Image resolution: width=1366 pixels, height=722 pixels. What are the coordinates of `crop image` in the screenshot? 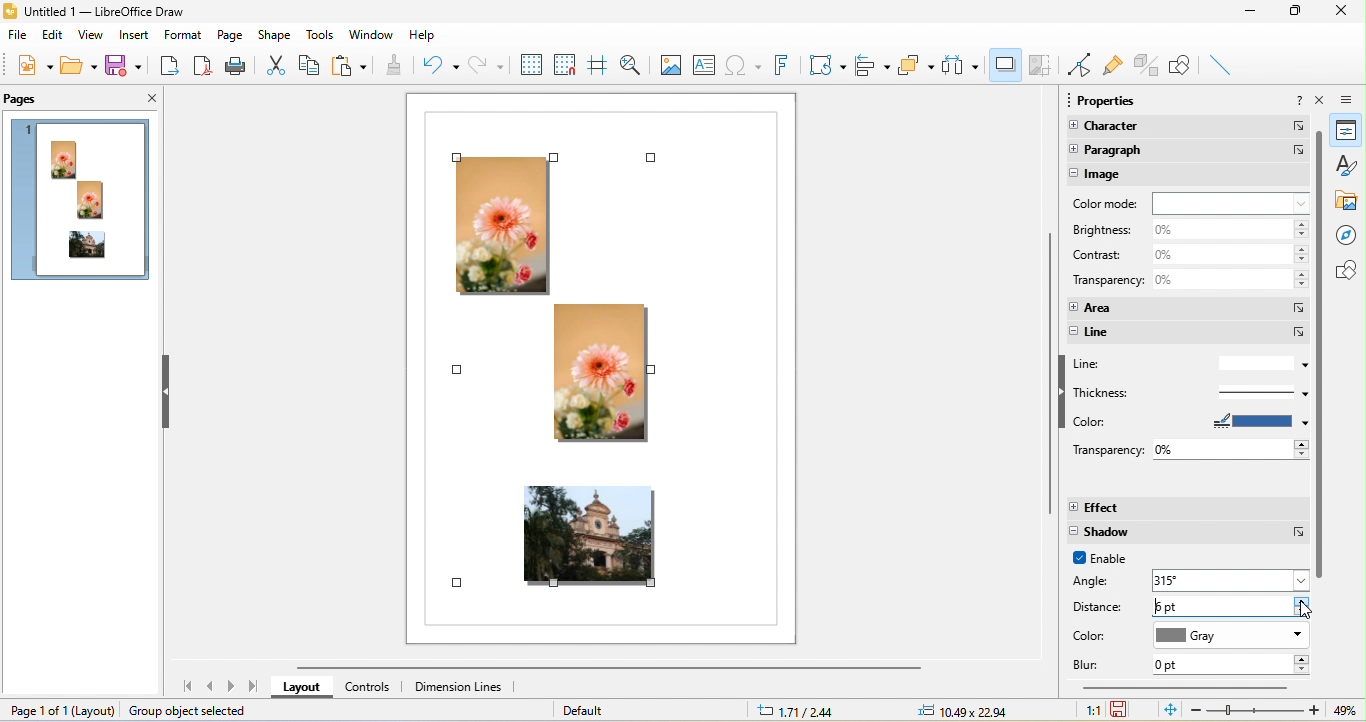 It's located at (1042, 67).